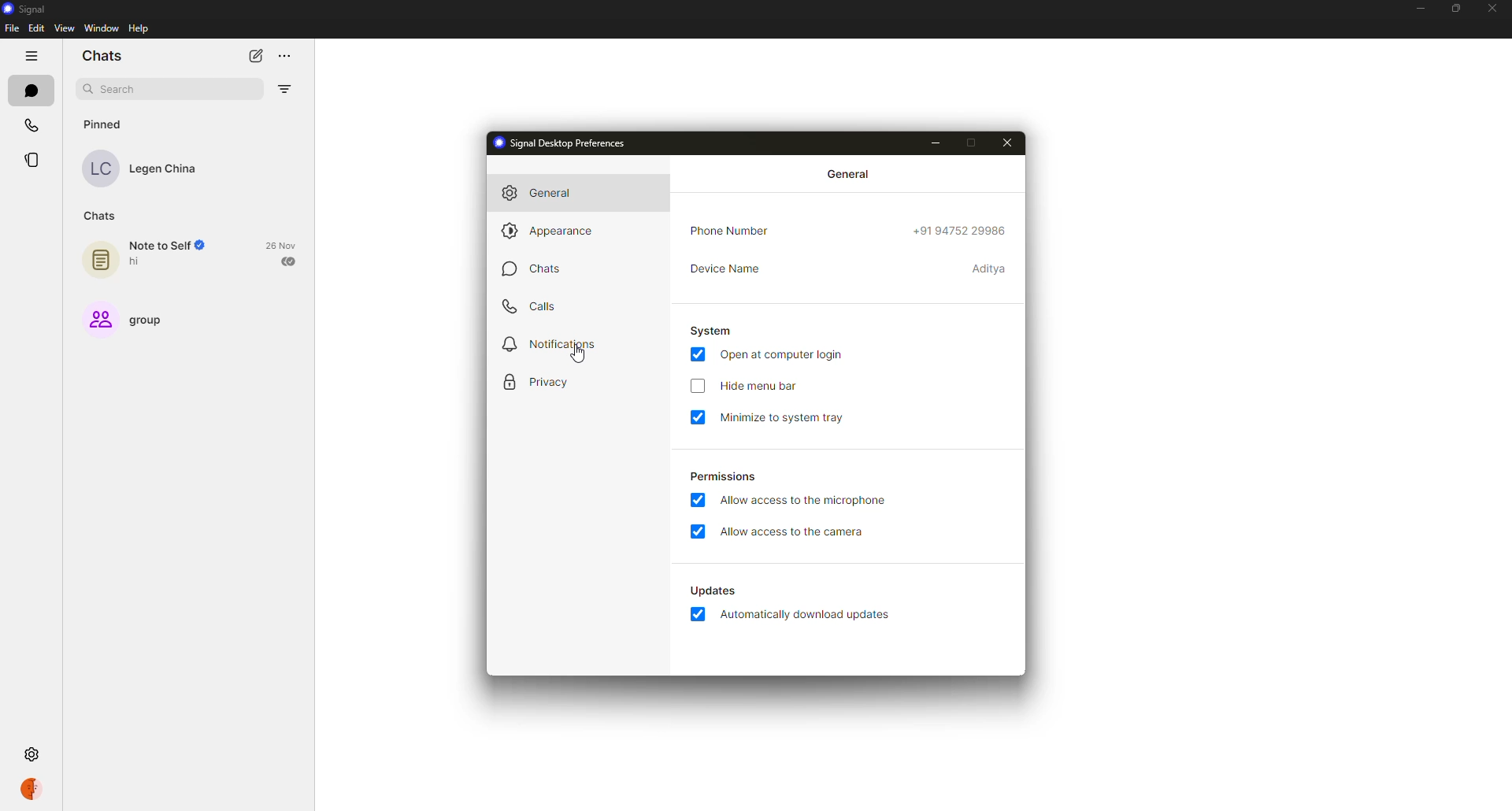 The image size is (1512, 811). Describe the element at coordinates (713, 331) in the screenshot. I see `system` at that location.